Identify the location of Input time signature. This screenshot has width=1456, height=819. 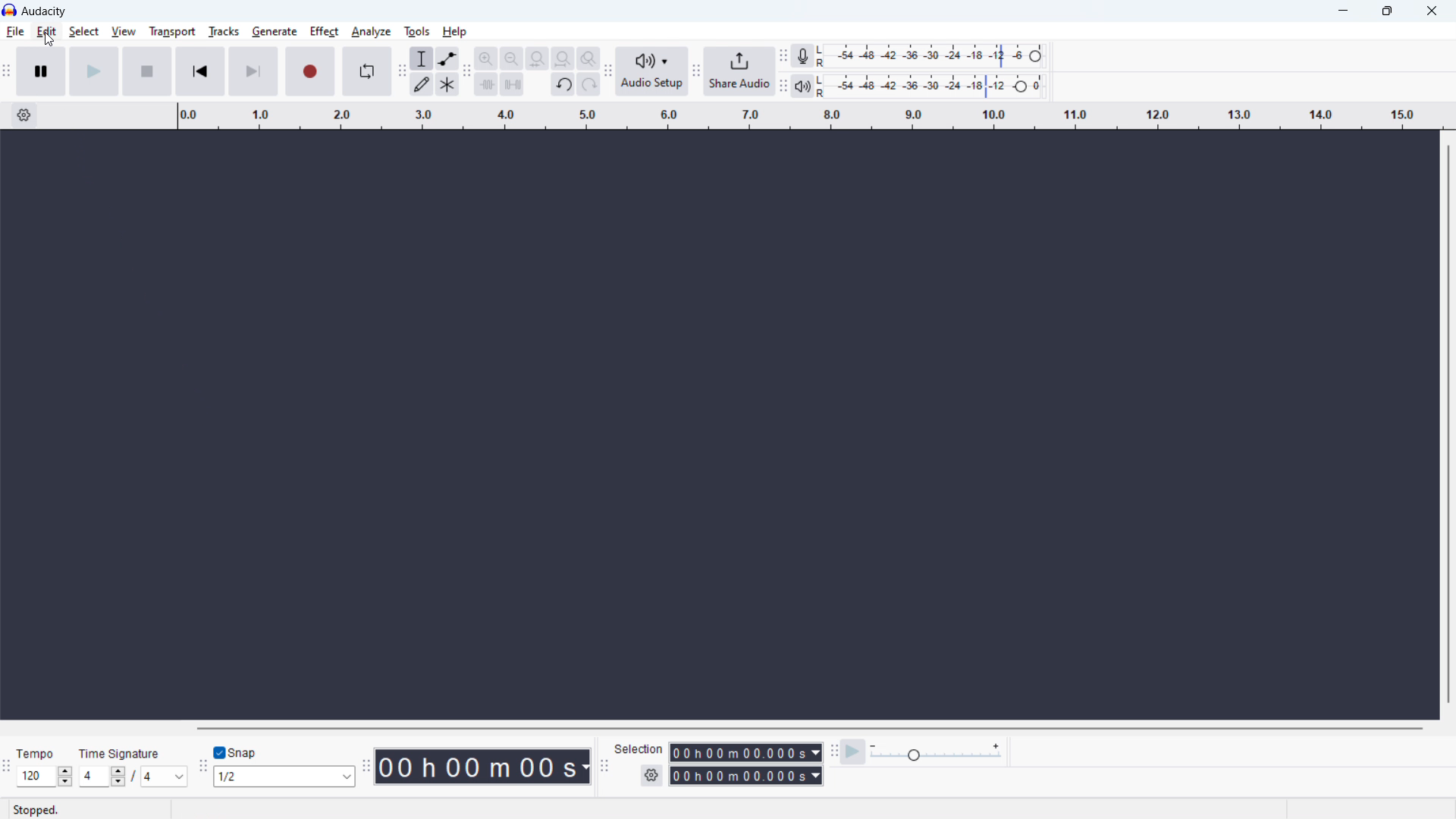
(93, 777).